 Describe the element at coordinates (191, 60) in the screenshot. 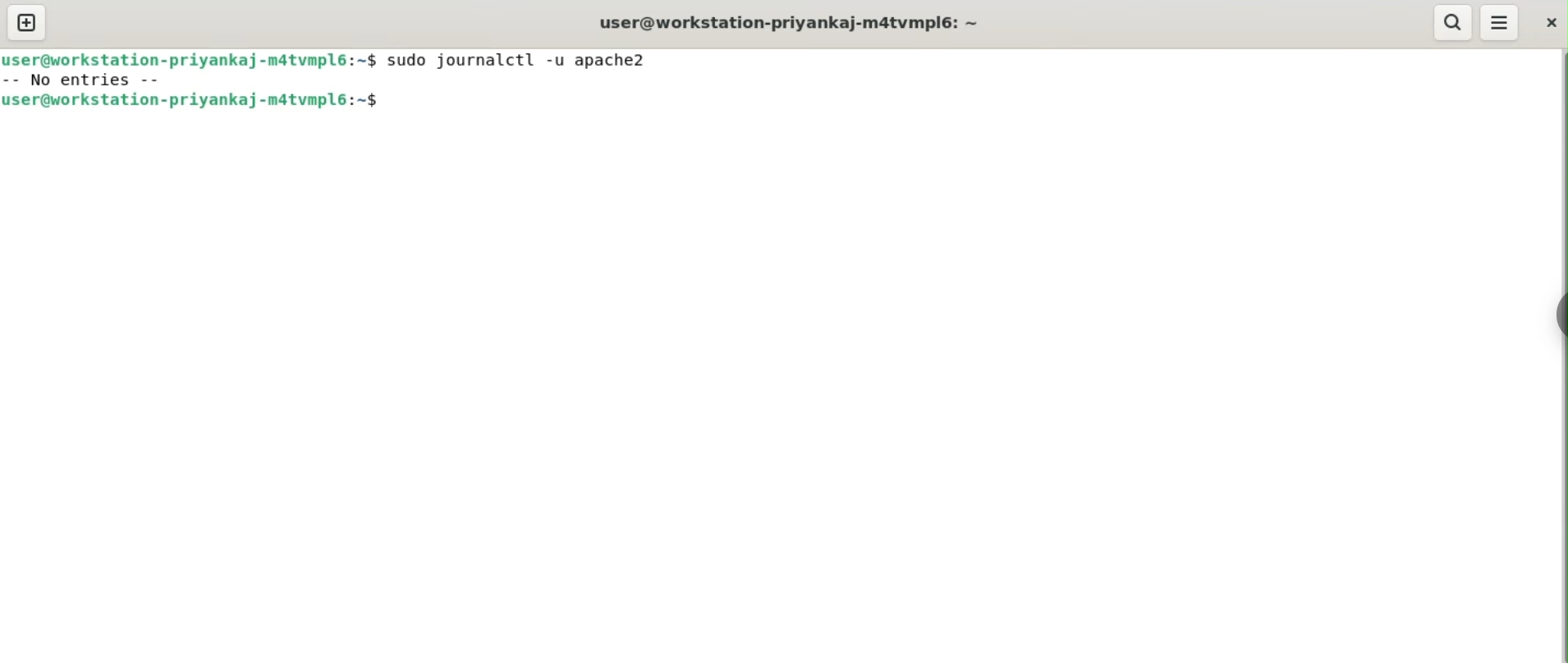

I see `user@workstation-priyankaj-m4tvmpl6:~$` at that location.